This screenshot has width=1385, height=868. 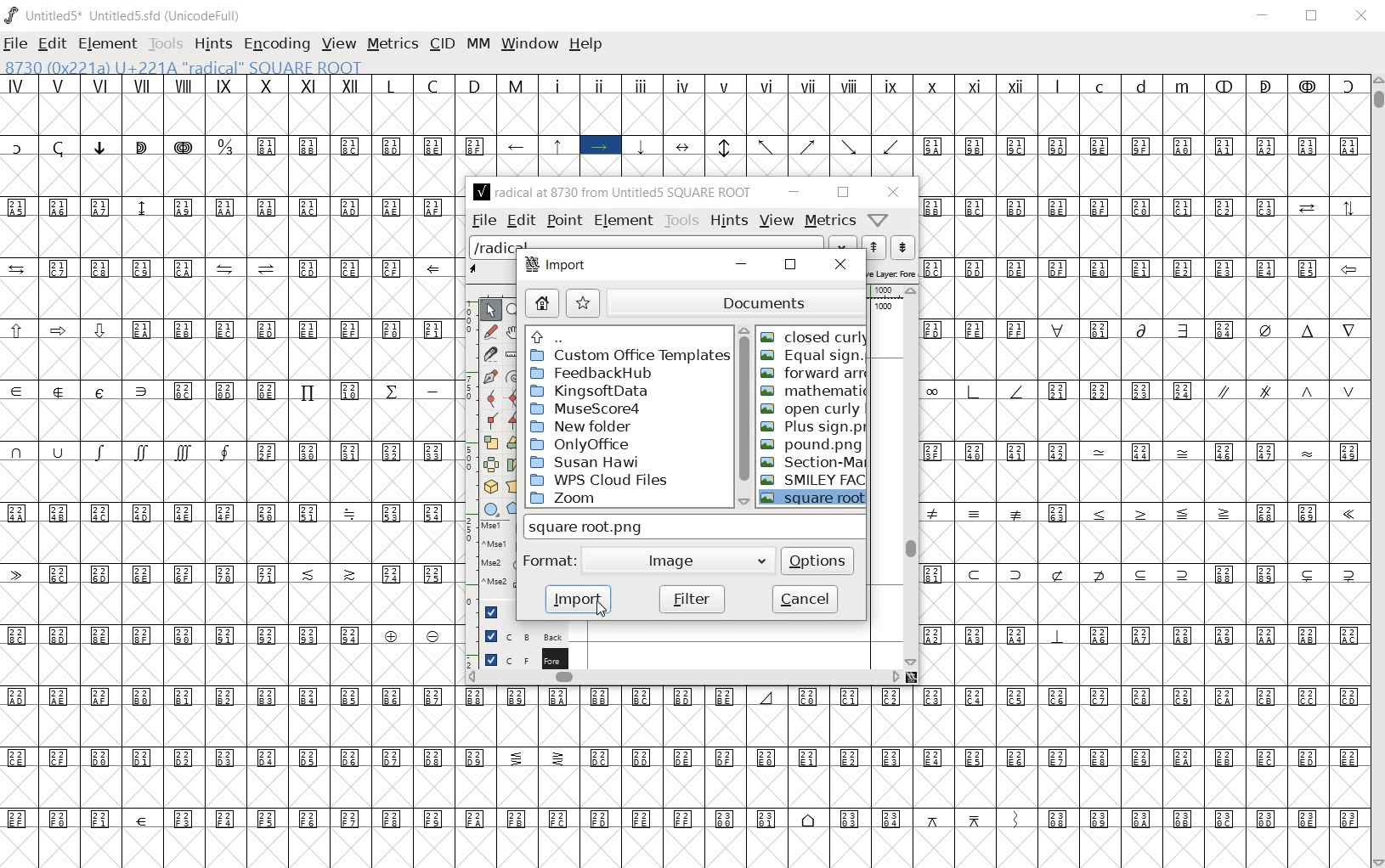 What do you see at coordinates (515, 352) in the screenshot?
I see `measure a distance, angle between points` at bounding box center [515, 352].